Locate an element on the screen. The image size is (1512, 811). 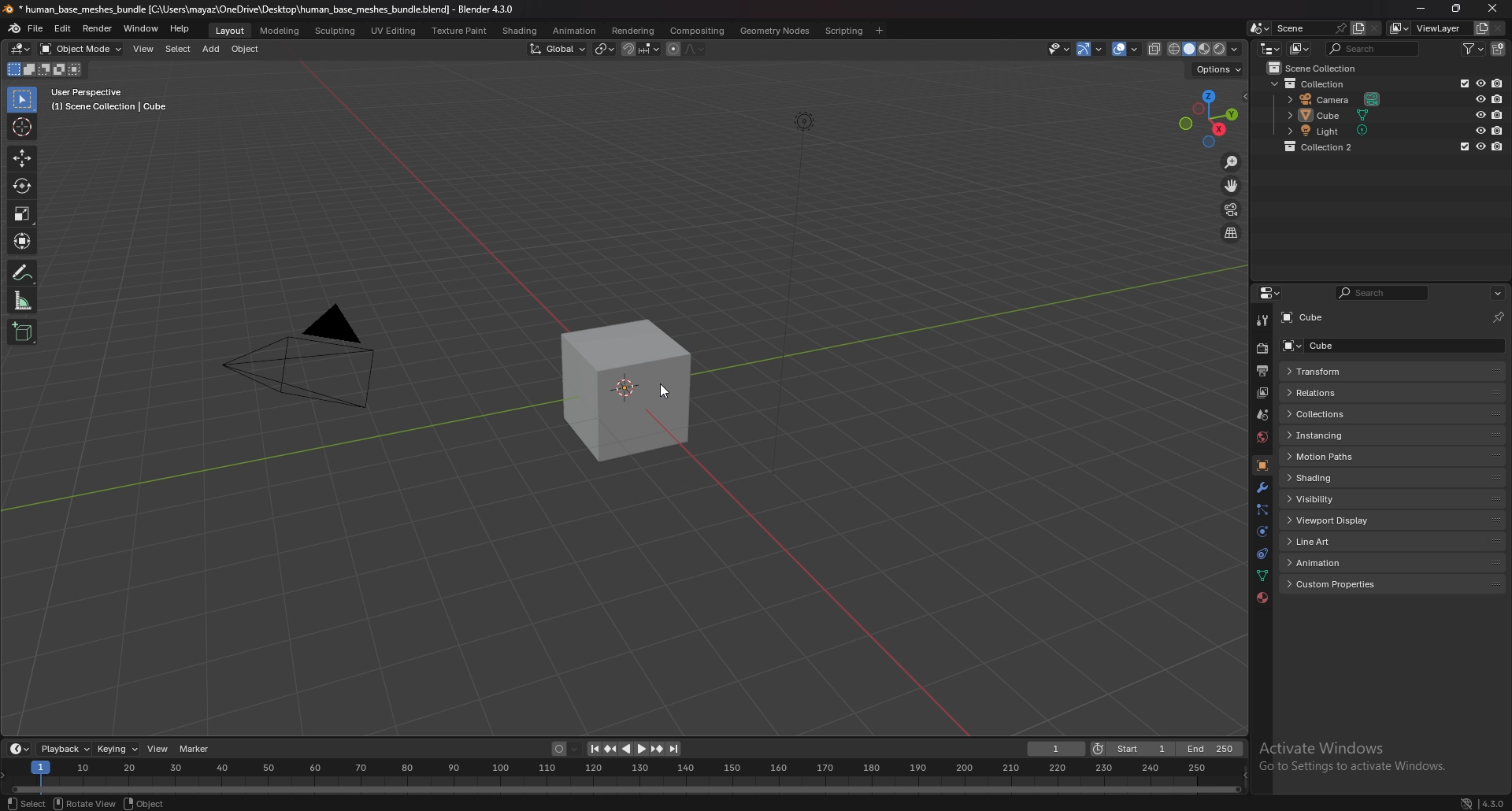
visibility is located at coordinates (1332, 499).